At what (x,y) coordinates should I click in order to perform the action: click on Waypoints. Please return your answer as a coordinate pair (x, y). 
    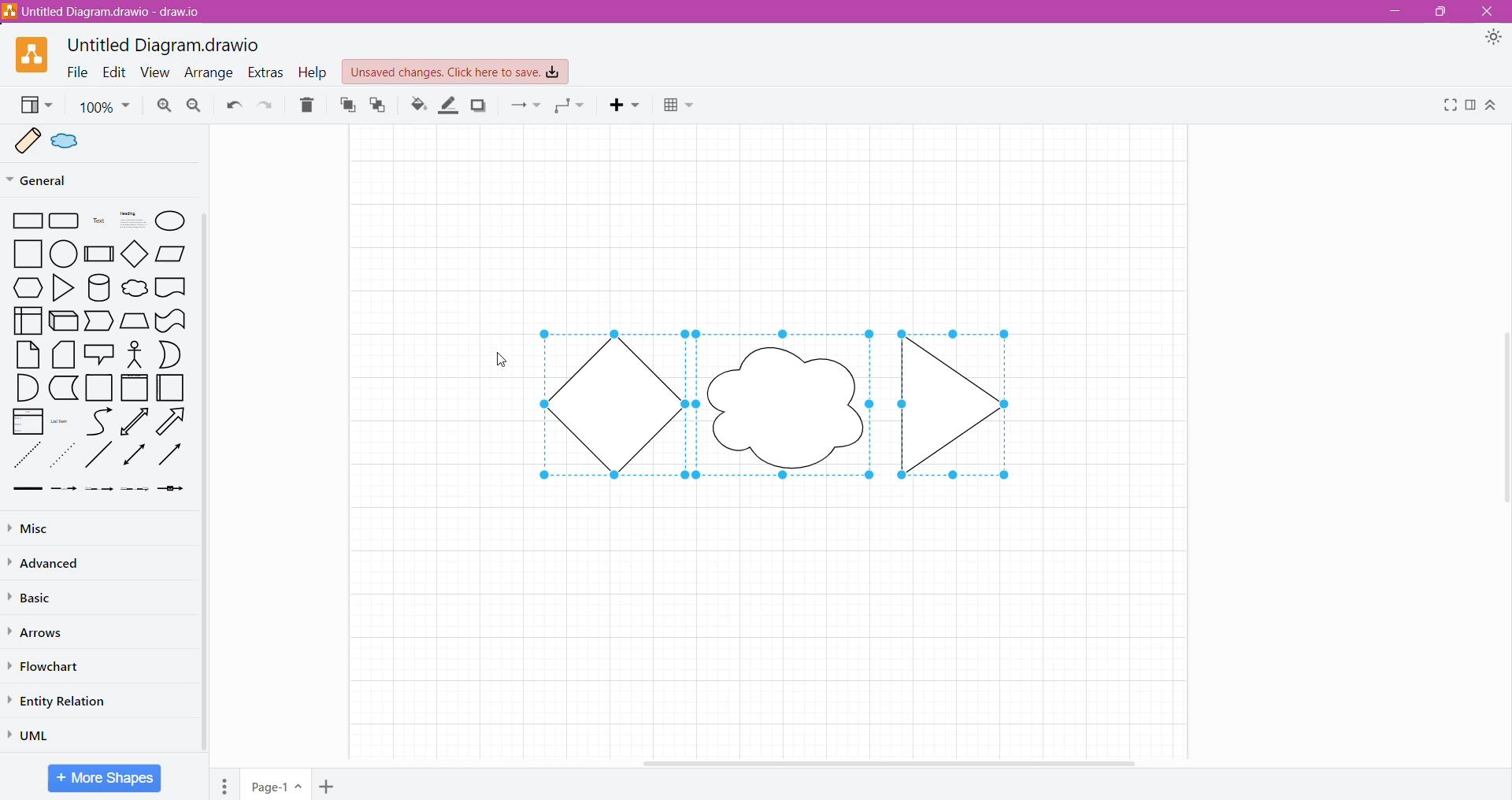
    Looking at the image, I should click on (570, 107).